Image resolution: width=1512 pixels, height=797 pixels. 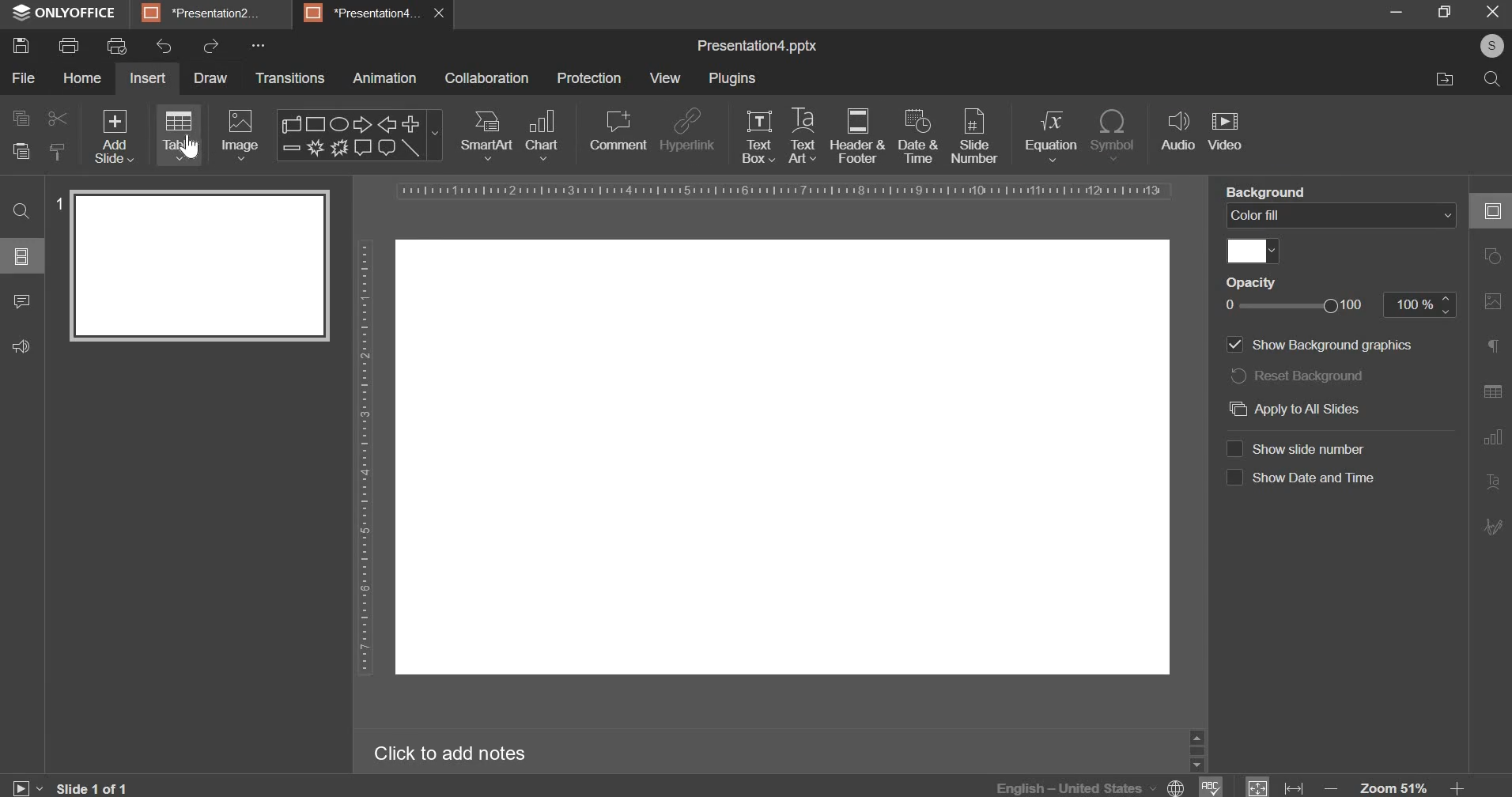 What do you see at coordinates (1297, 375) in the screenshot?
I see `reset background` at bounding box center [1297, 375].